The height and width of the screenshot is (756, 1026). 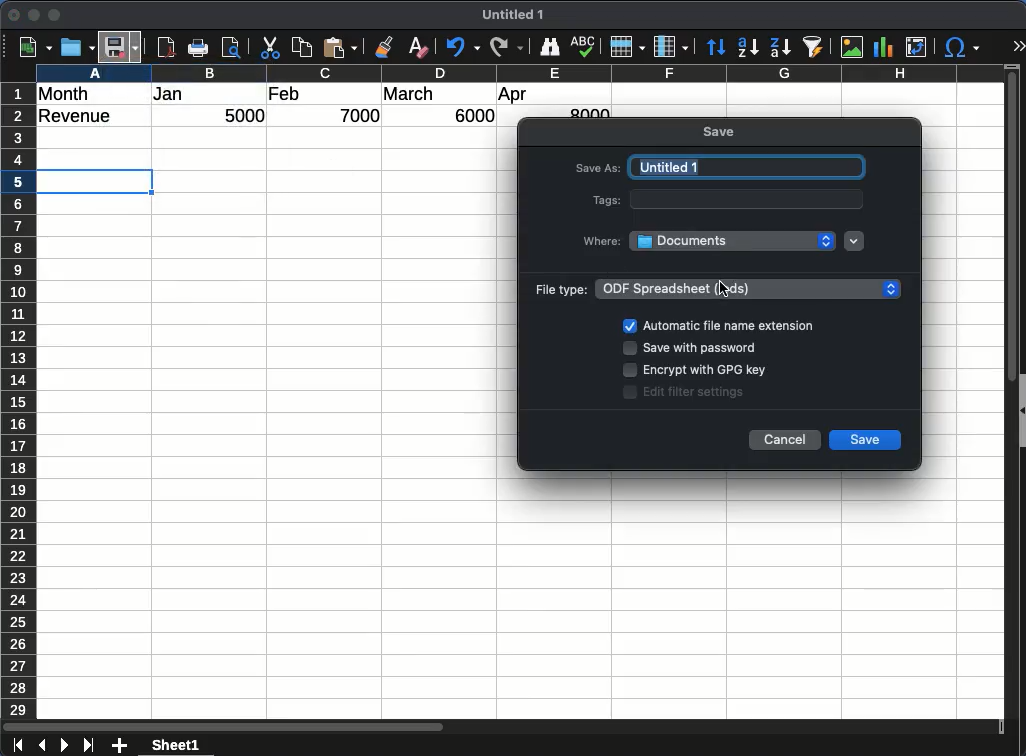 I want to click on pdf reader, so click(x=166, y=48).